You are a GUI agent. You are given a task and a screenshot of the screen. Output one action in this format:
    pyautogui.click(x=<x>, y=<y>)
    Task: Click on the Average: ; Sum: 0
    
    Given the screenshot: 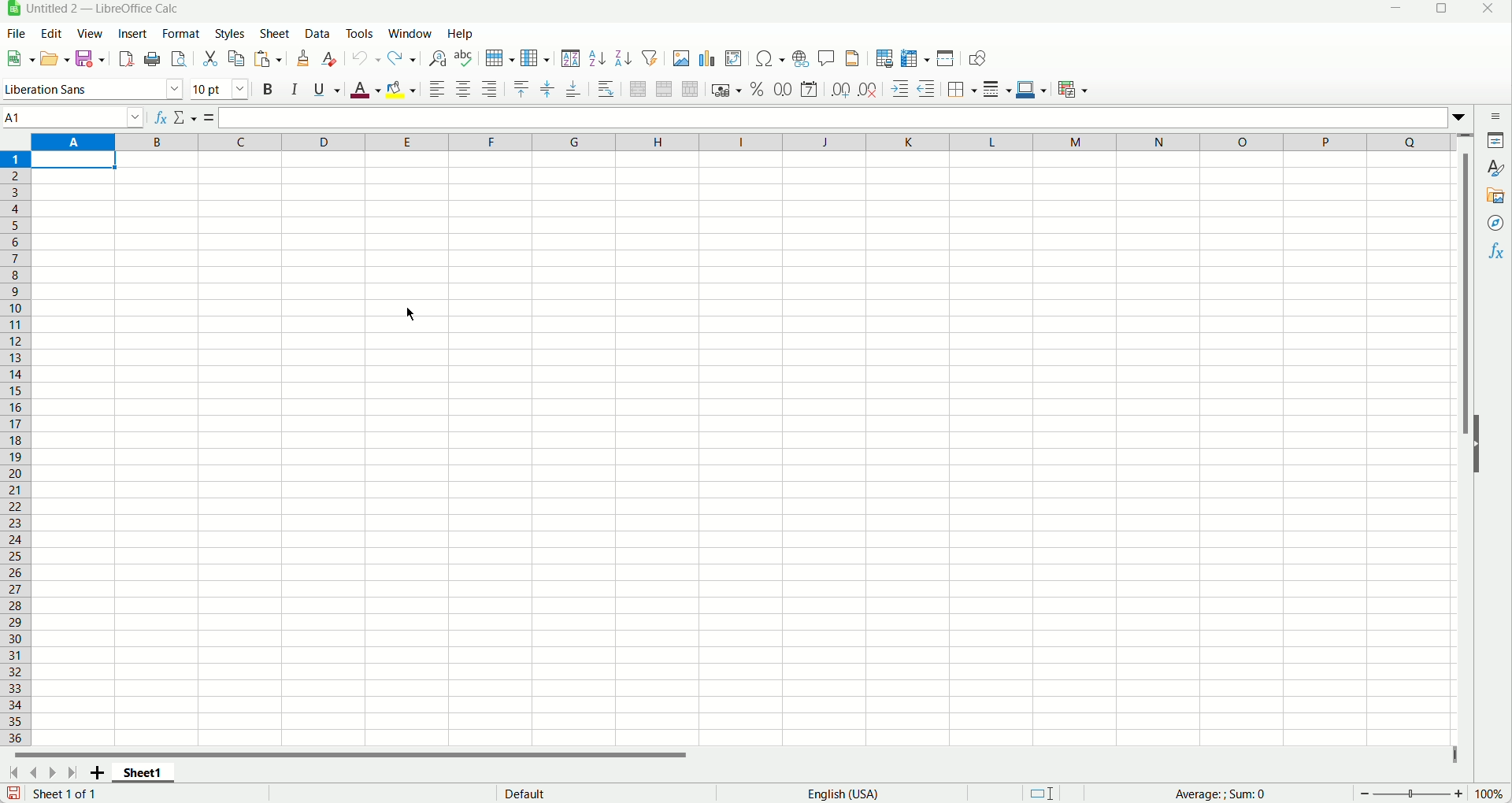 What is the action you would take?
    pyautogui.click(x=1216, y=793)
    